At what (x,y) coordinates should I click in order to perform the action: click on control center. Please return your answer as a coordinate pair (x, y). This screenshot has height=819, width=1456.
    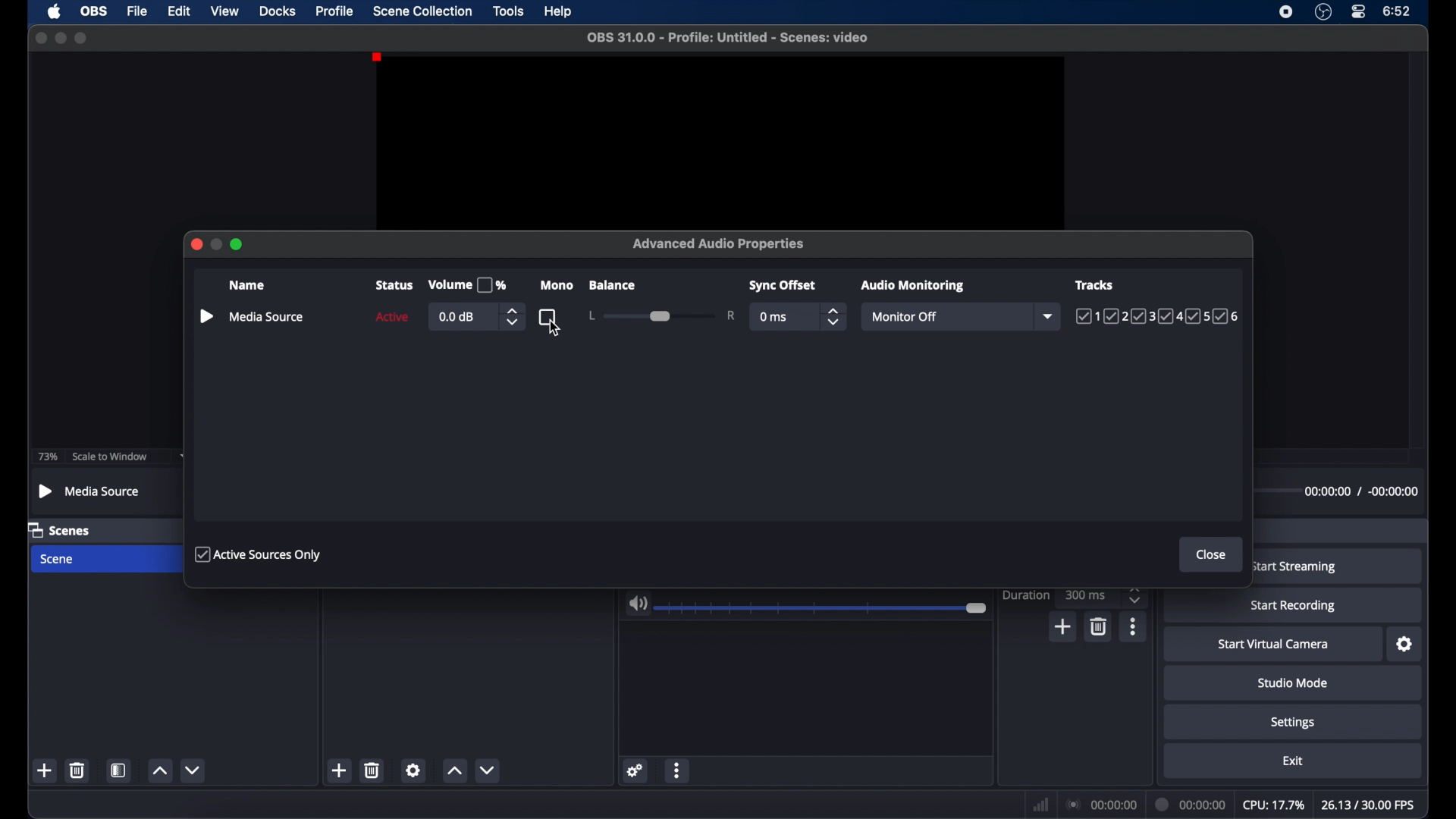
    Looking at the image, I should click on (1359, 11).